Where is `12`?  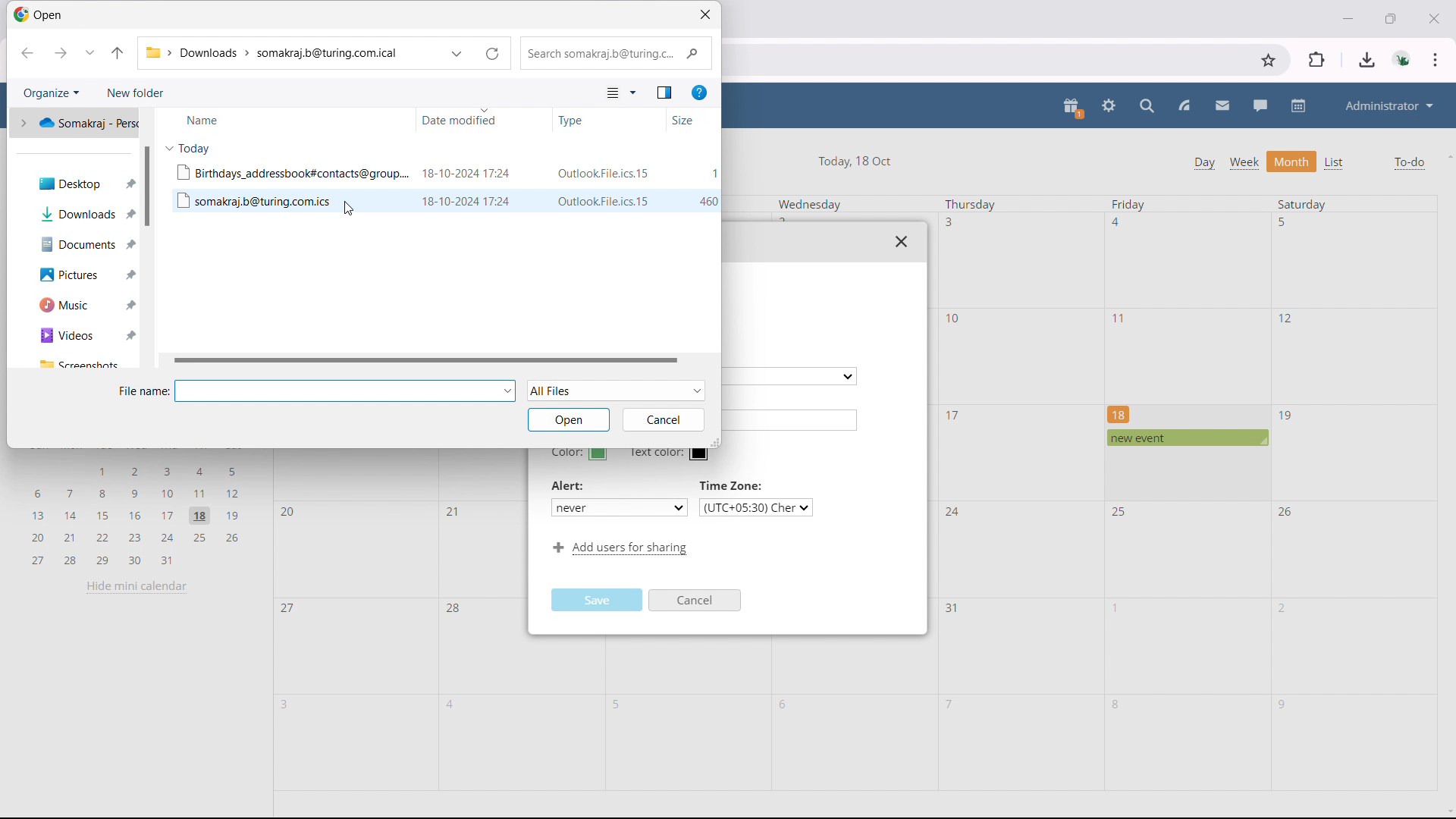 12 is located at coordinates (1286, 317).